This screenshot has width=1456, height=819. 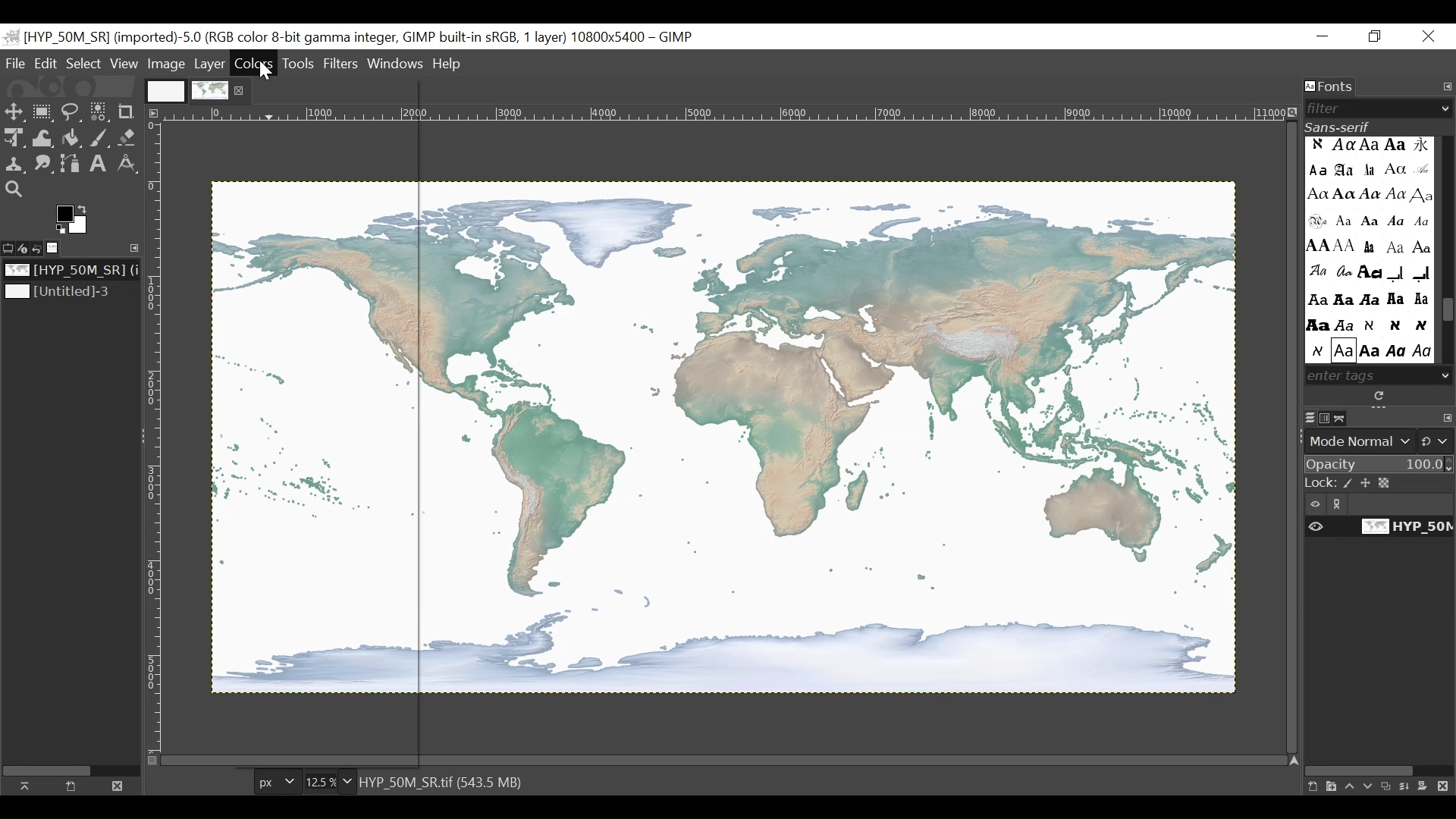 What do you see at coordinates (71, 165) in the screenshot?
I see `Paths Tool` at bounding box center [71, 165].